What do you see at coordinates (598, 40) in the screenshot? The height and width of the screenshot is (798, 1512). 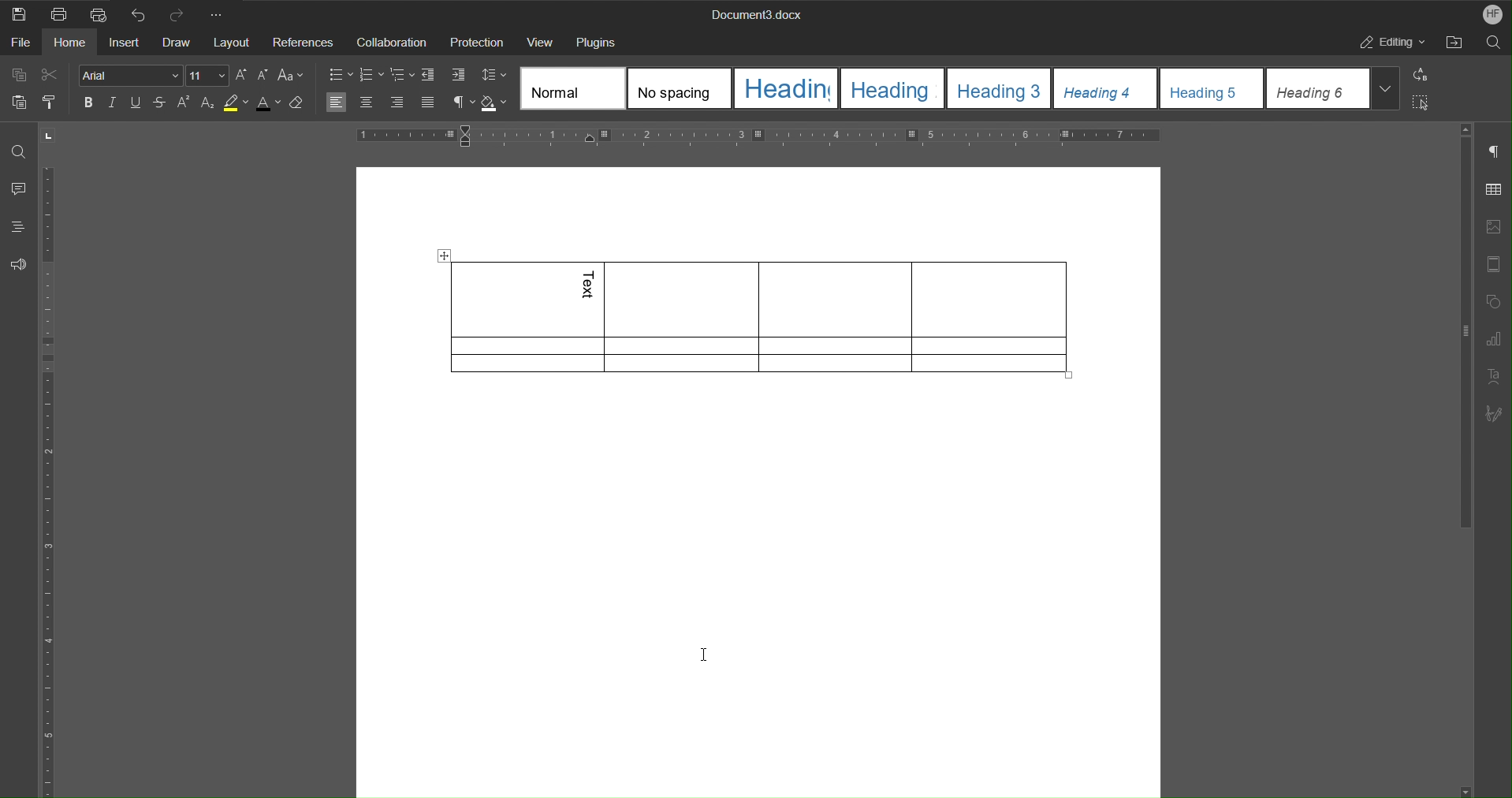 I see `Plugins` at bounding box center [598, 40].